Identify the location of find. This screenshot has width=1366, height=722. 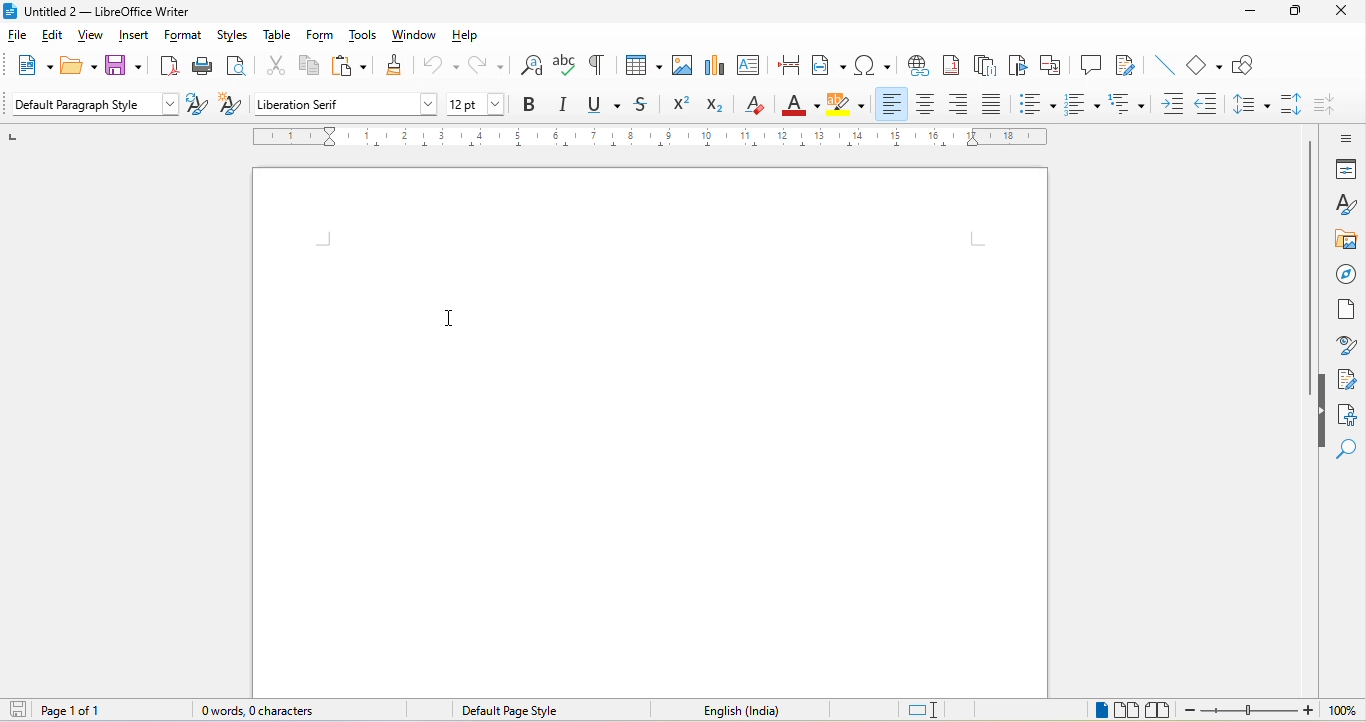
(1350, 452).